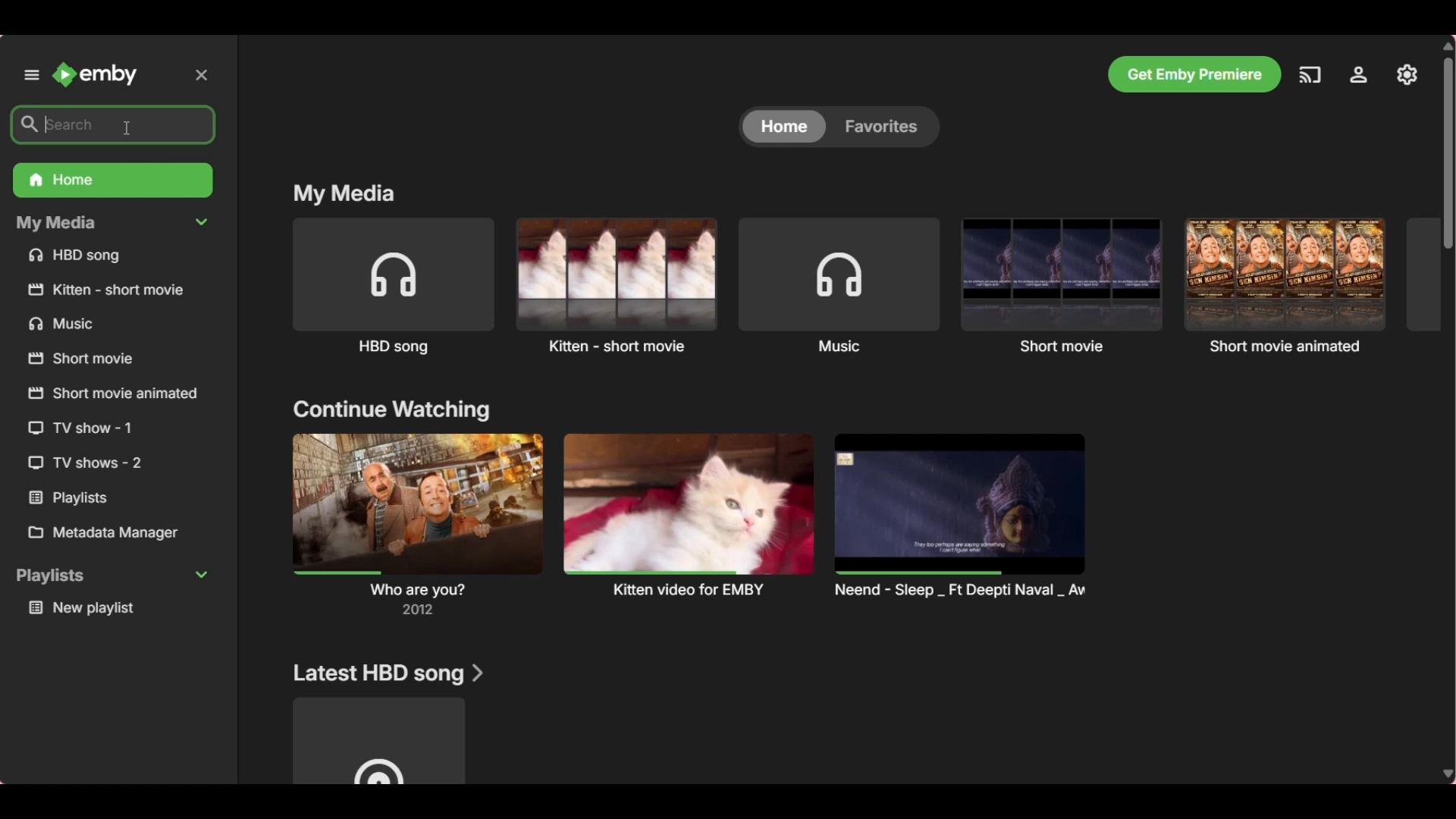 The image size is (1456, 819). Describe the element at coordinates (113, 180) in the screenshot. I see `Home folder, highlighted` at that location.